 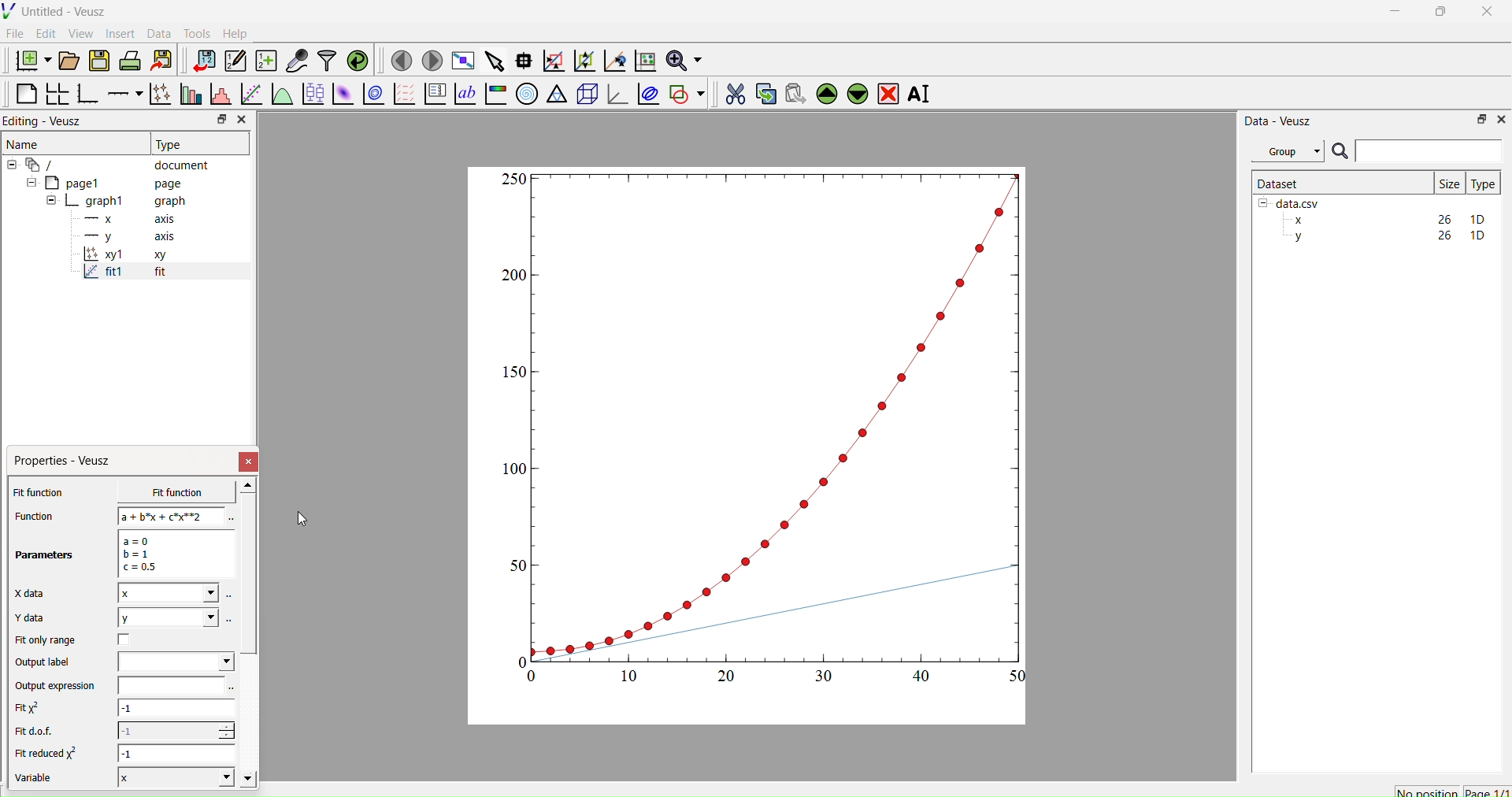 I want to click on Editing - Veusz, so click(x=47, y=120).